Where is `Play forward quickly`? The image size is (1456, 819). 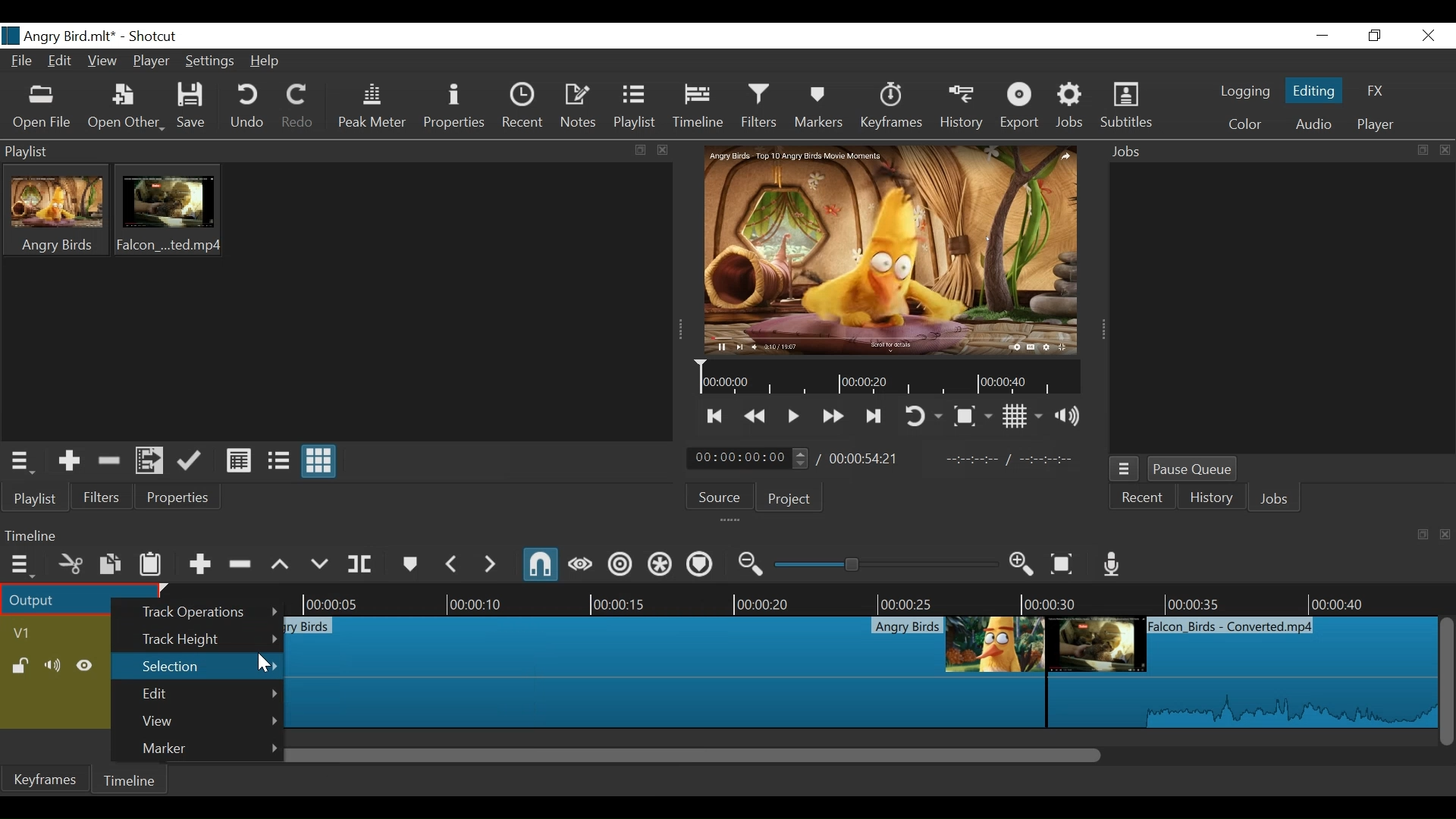 Play forward quickly is located at coordinates (833, 415).